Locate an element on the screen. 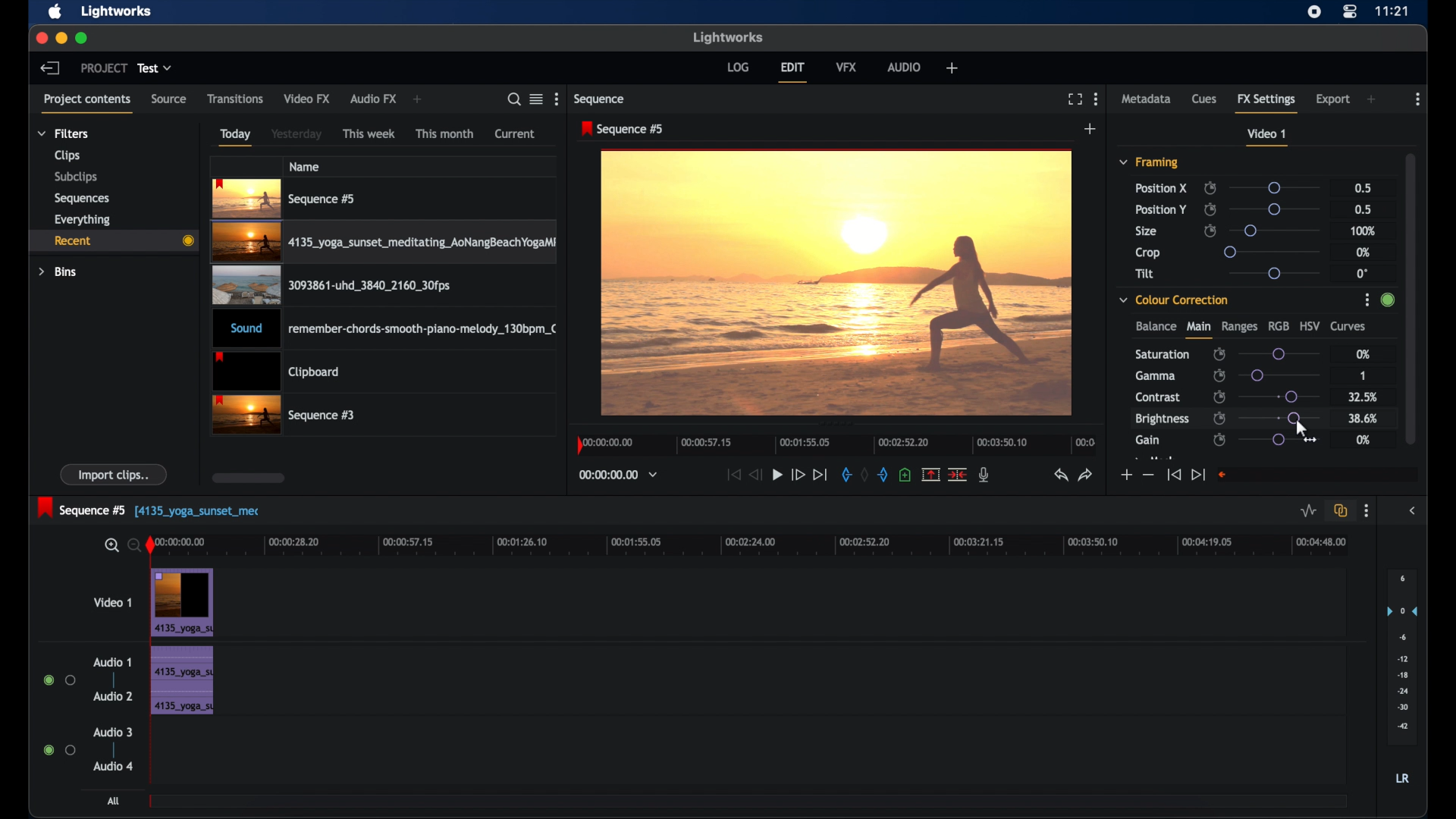 This screenshot has width=1456, height=819. 0% is located at coordinates (1361, 252).